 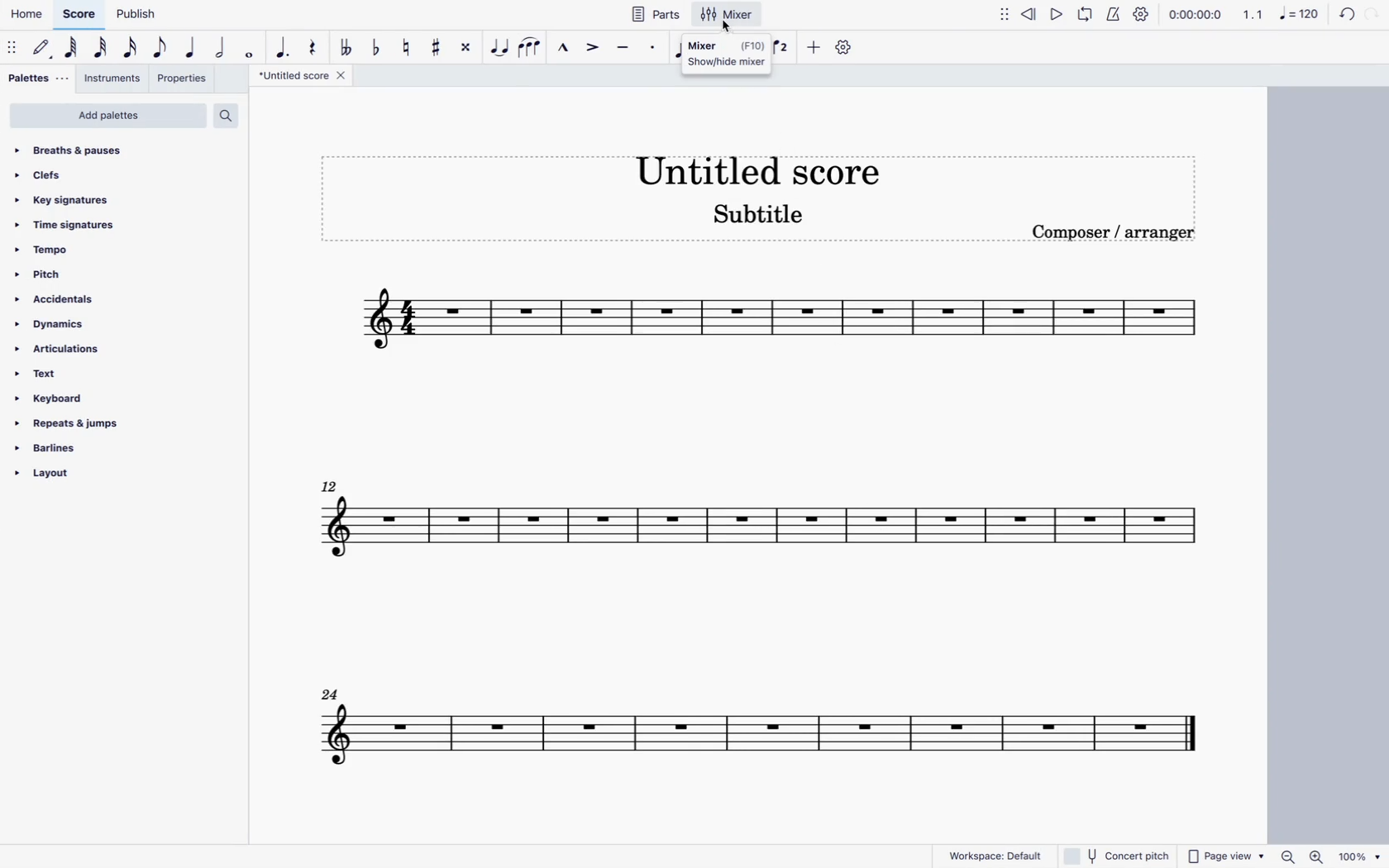 I want to click on rewind, so click(x=1031, y=12).